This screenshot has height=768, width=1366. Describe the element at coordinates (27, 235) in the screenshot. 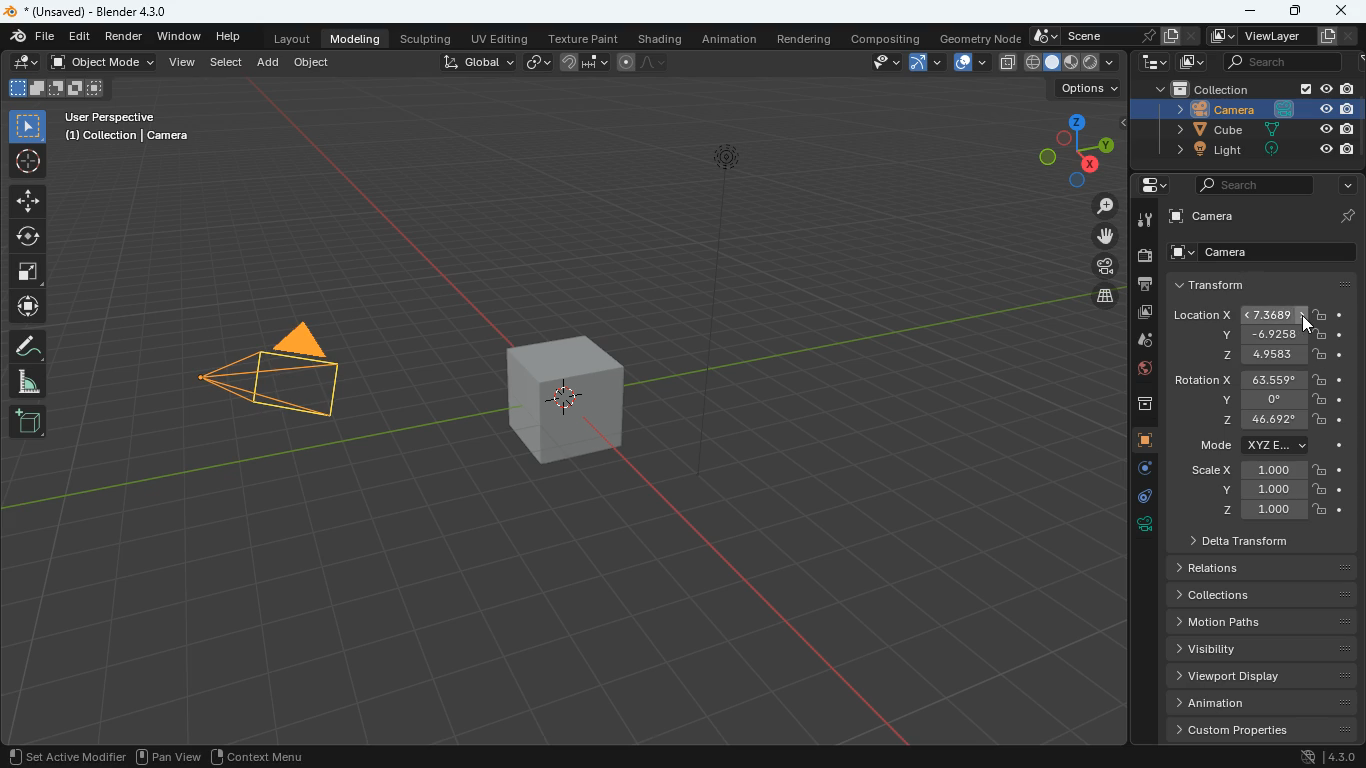

I see `rotation` at that location.